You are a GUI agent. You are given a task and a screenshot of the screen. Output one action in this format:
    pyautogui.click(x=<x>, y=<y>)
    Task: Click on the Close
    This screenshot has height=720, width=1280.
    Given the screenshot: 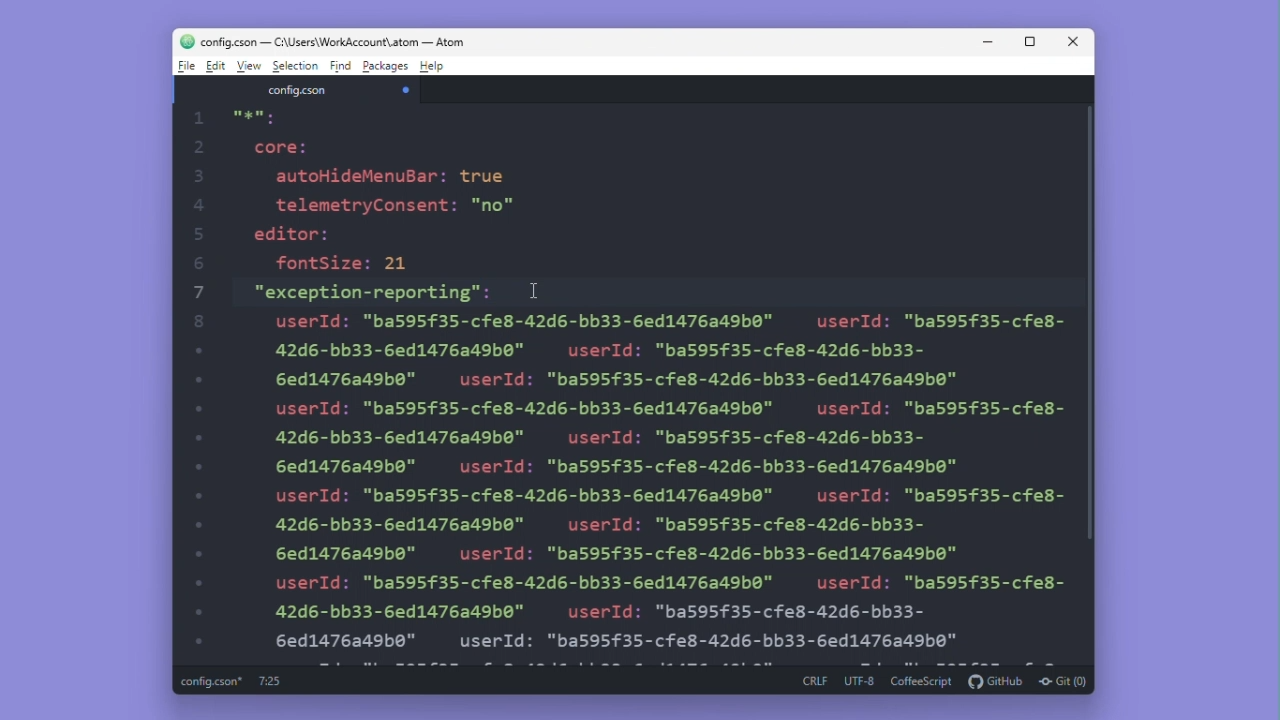 What is the action you would take?
    pyautogui.click(x=1073, y=41)
    